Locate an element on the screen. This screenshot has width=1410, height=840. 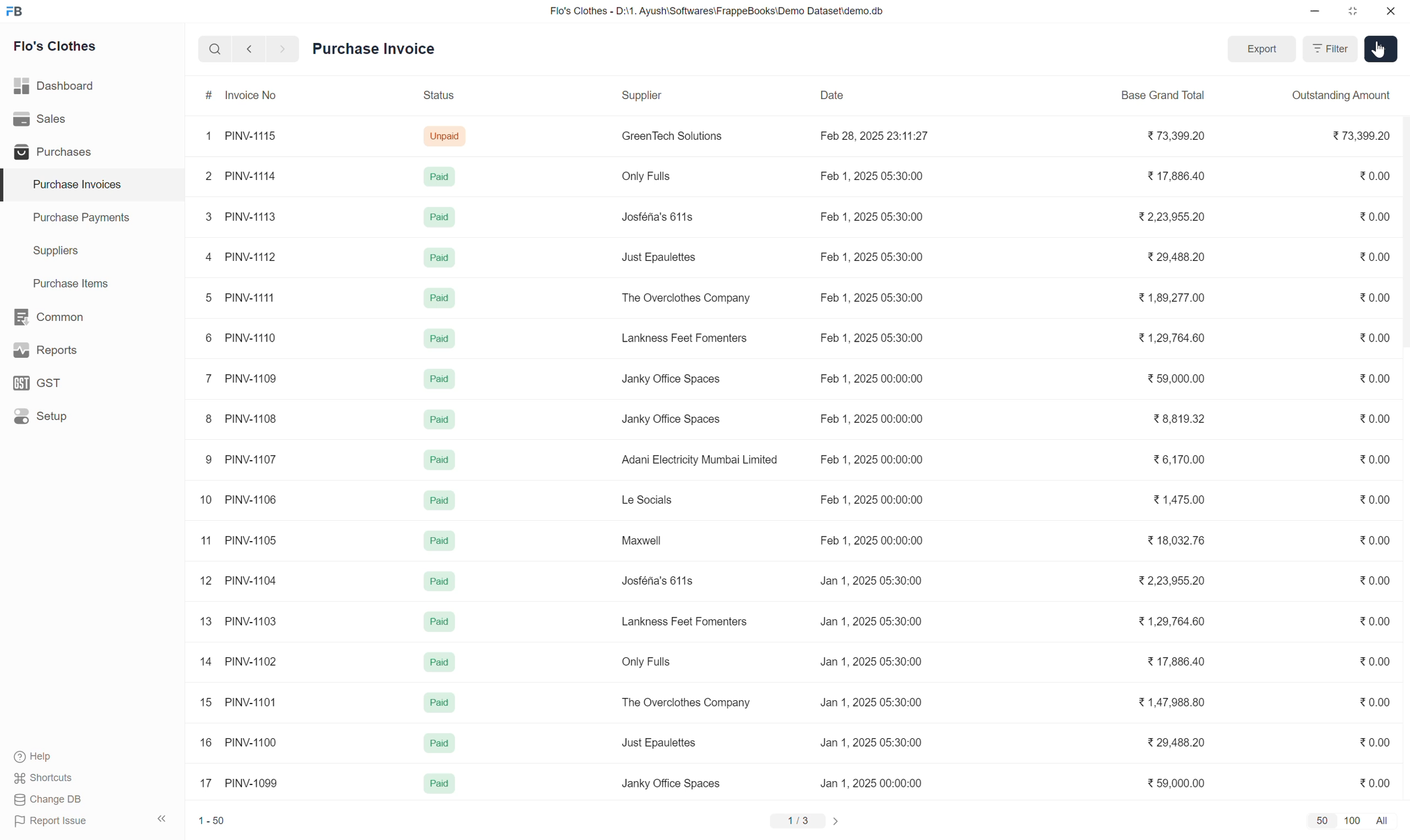
Paid is located at coordinates (436, 382).